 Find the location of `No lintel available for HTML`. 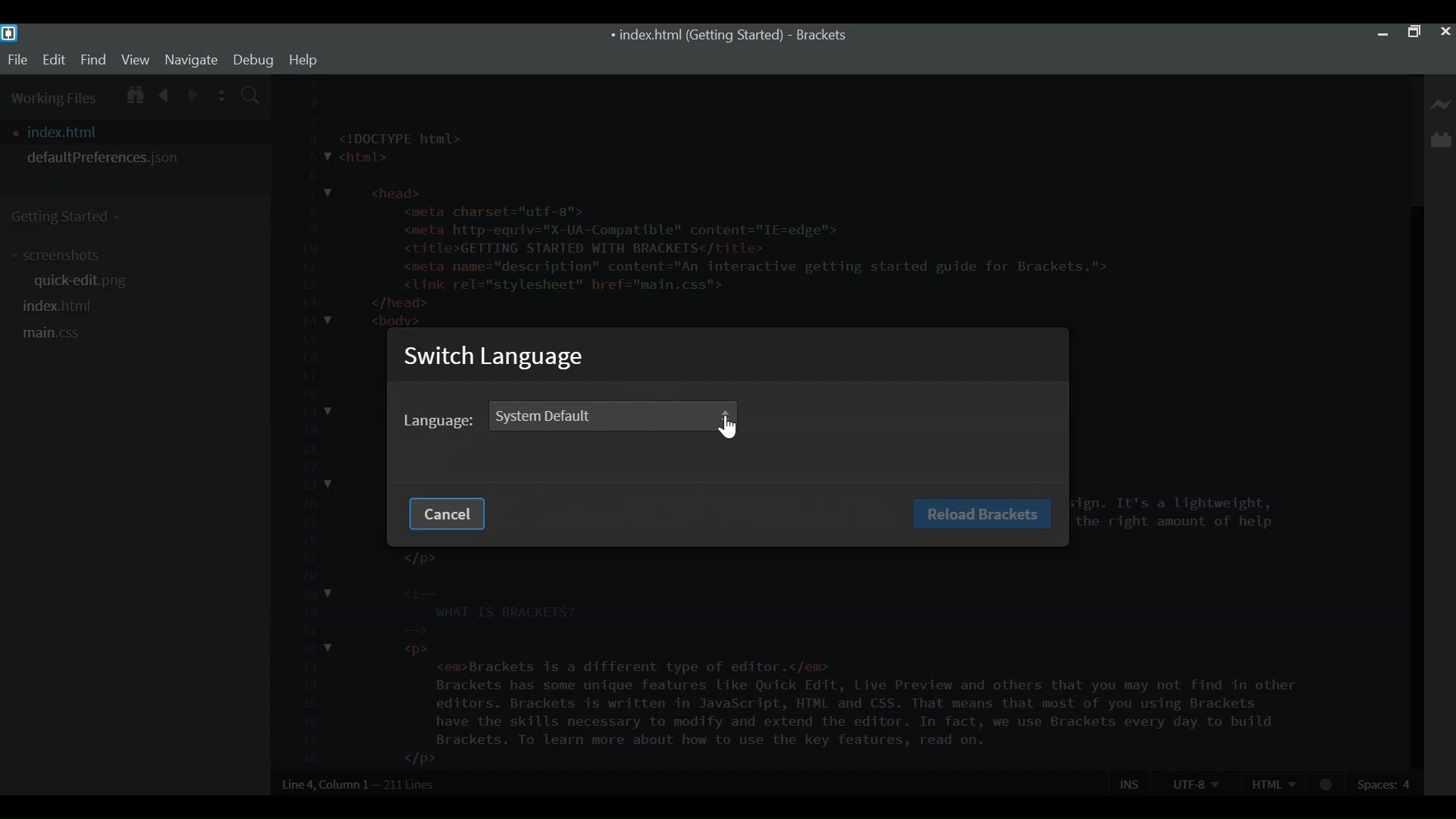

No lintel available for HTML is located at coordinates (1327, 785).